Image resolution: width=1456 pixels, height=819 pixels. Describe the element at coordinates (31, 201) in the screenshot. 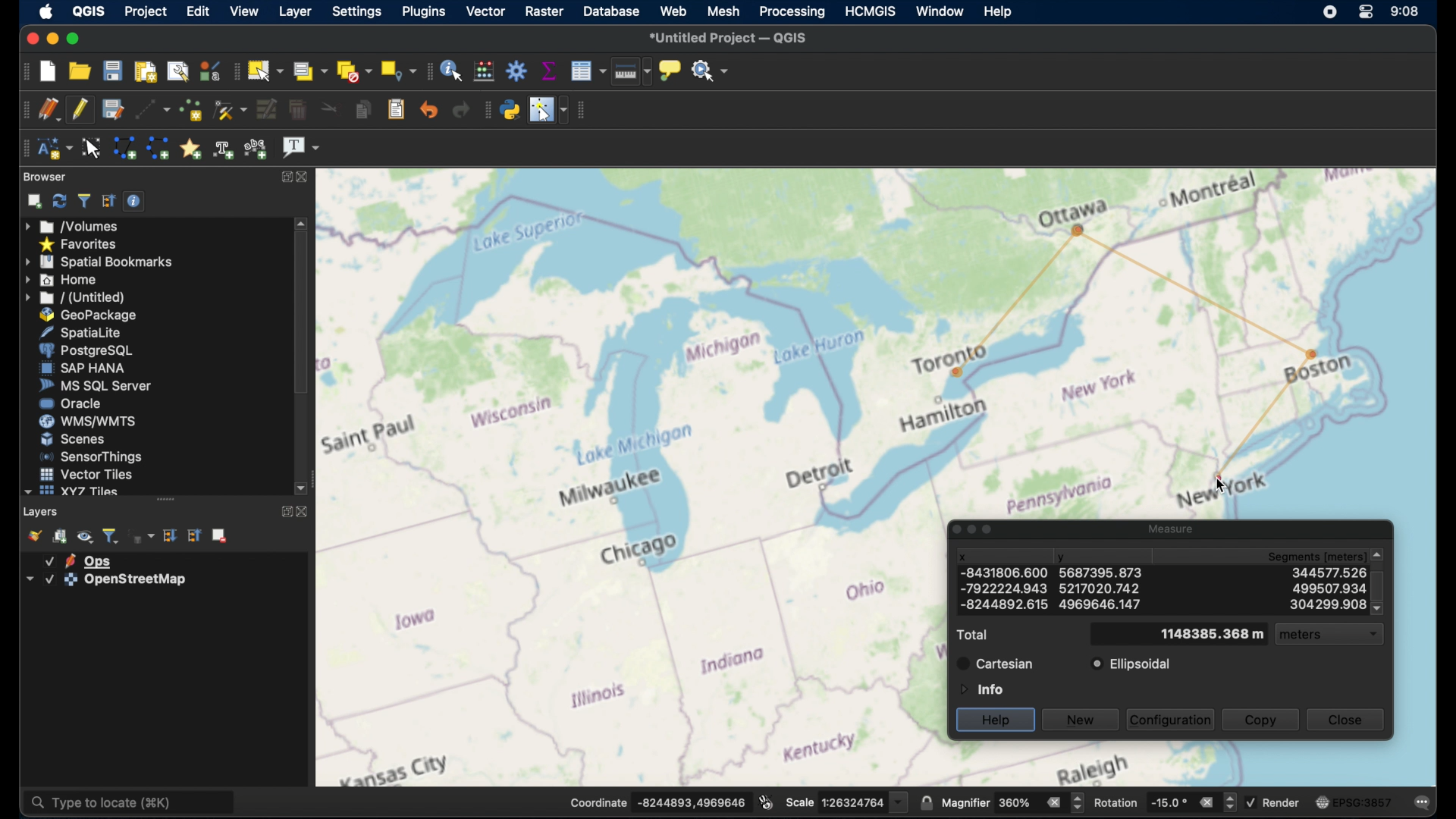

I see `add selected layers` at that location.